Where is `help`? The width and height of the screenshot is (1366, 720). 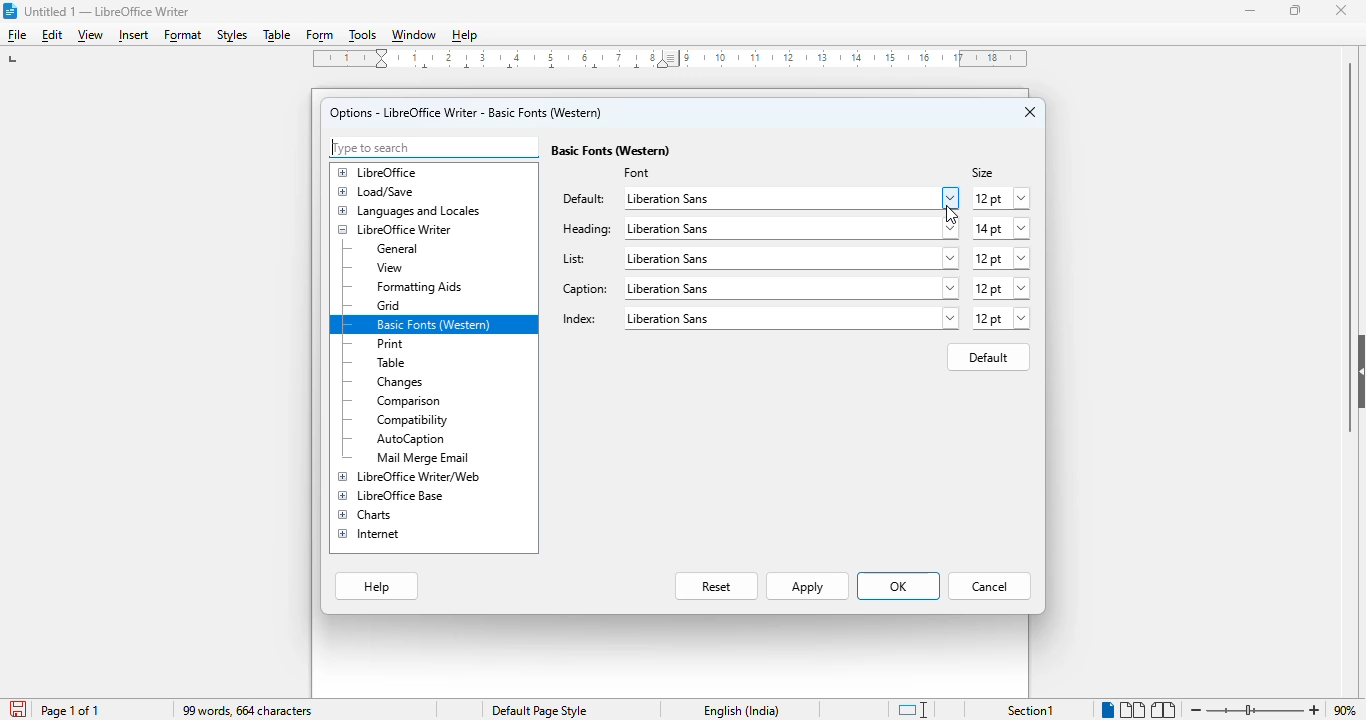
help is located at coordinates (375, 586).